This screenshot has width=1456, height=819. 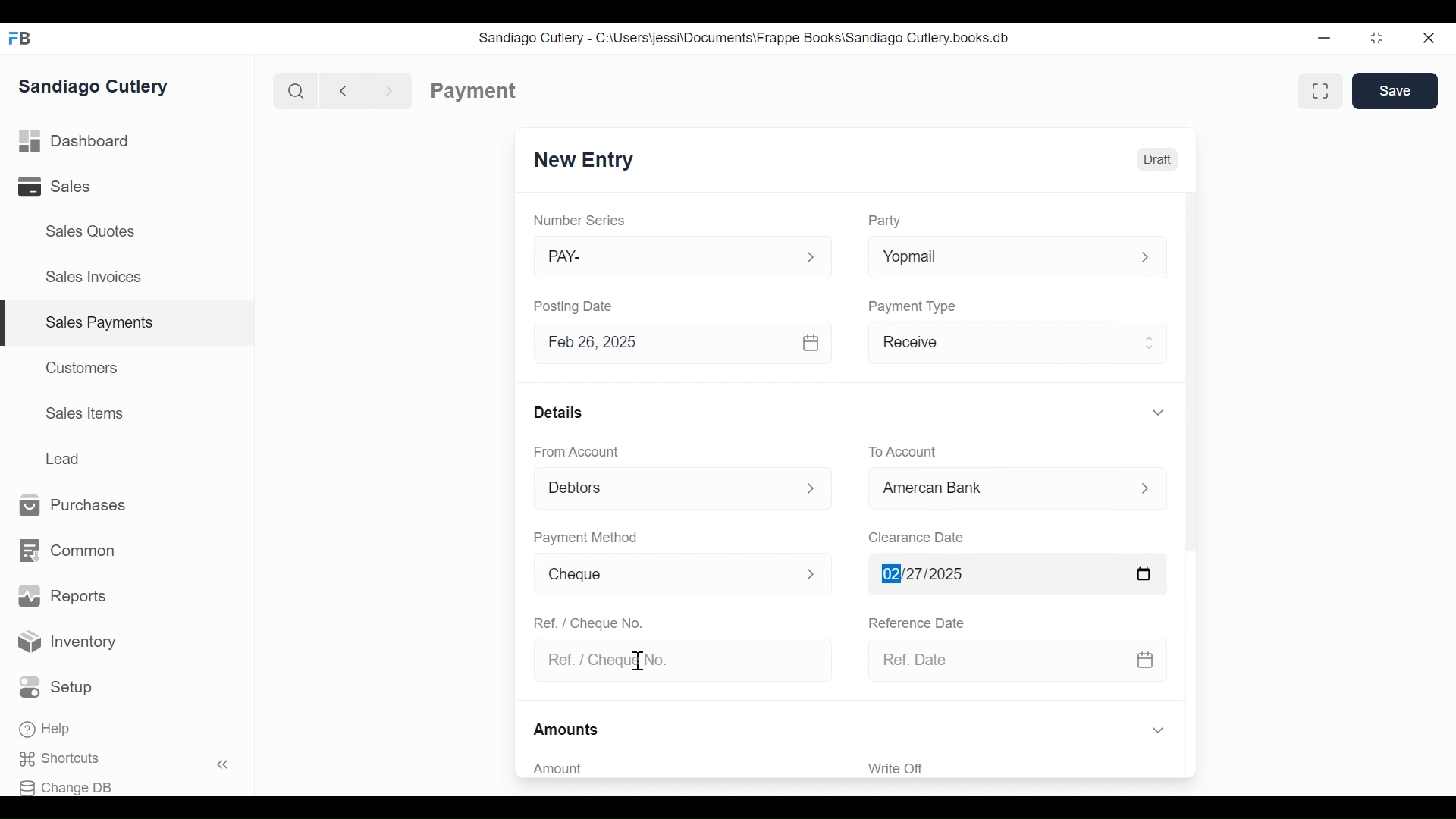 What do you see at coordinates (83, 367) in the screenshot?
I see `Customers` at bounding box center [83, 367].